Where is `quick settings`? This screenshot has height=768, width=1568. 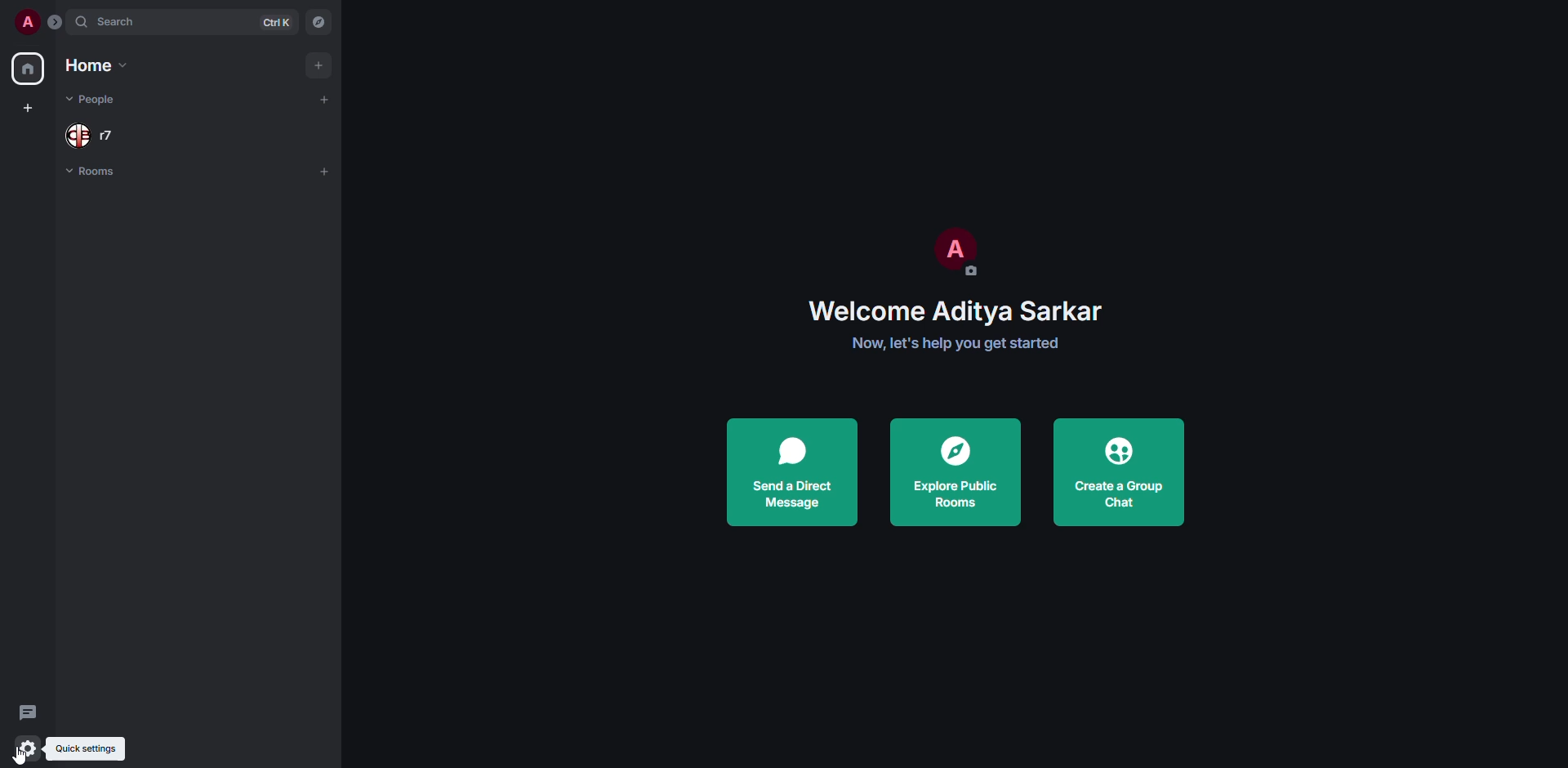 quick settings is located at coordinates (85, 751).